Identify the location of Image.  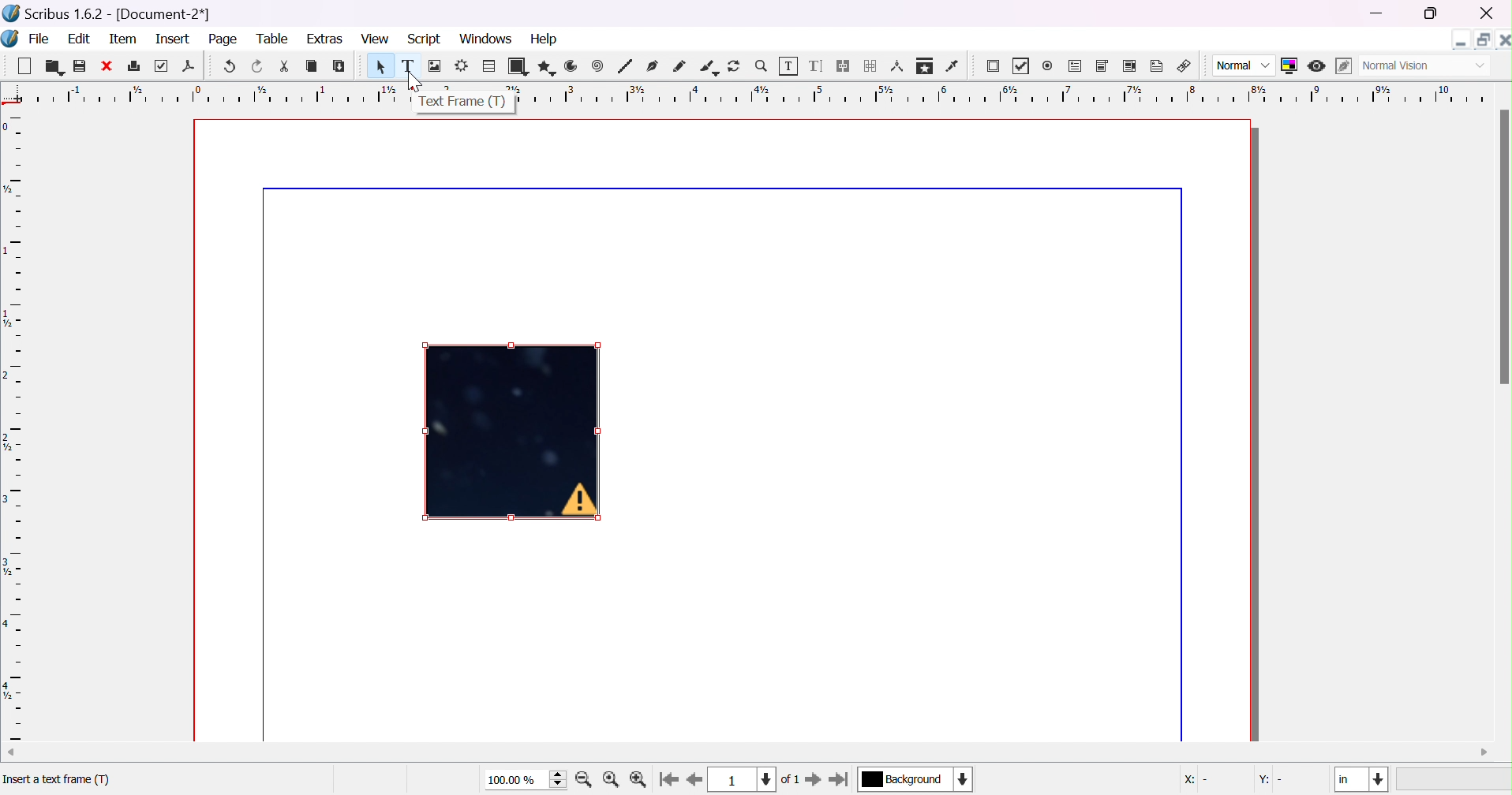
(512, 431).